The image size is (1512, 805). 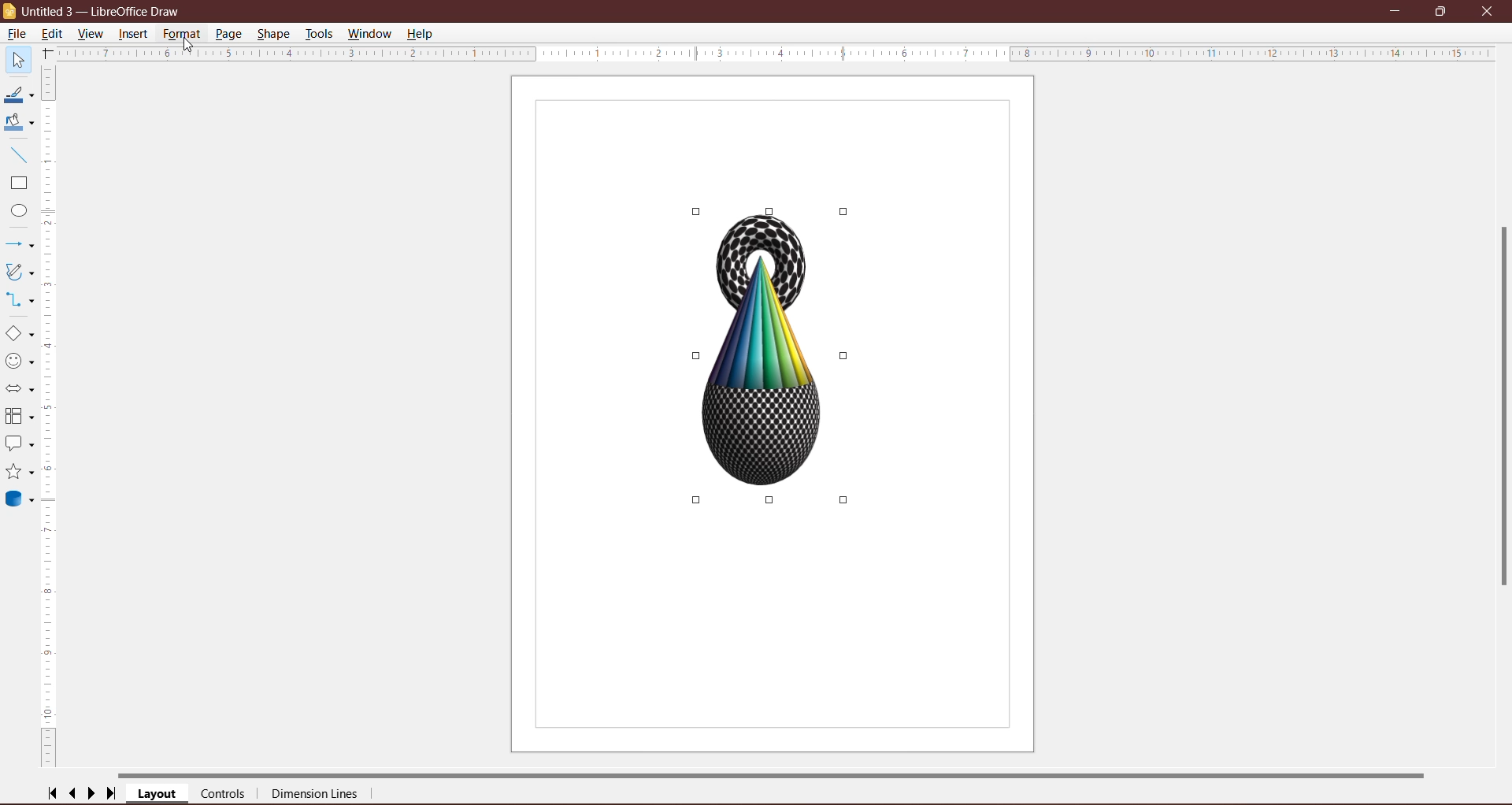 I want to click on Diagram Title - Application Name, so click(x=106, y=10).